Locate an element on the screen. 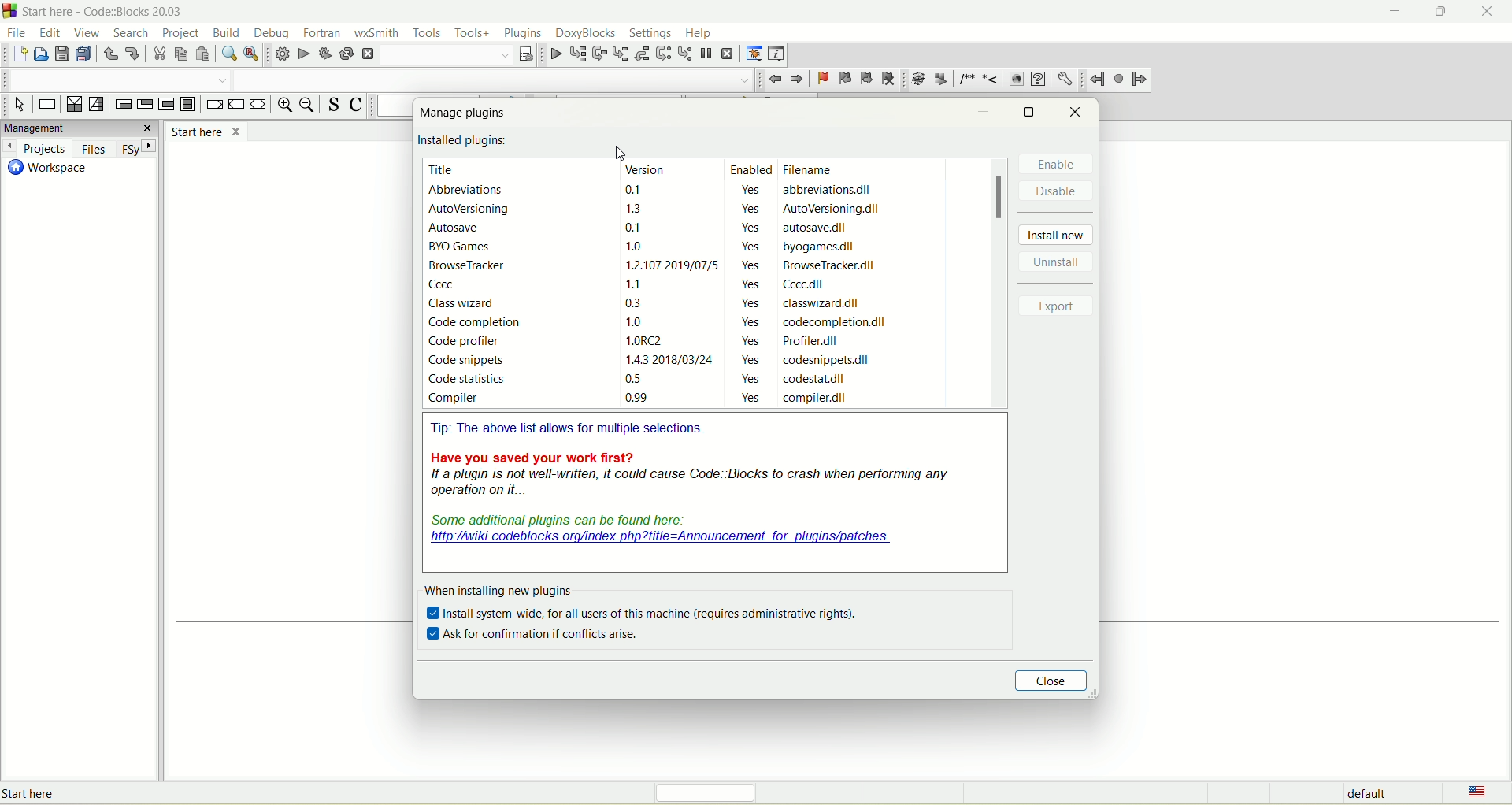 This screenshot has width=1512, height=805. zoom out is located at coordinates (307, 106).